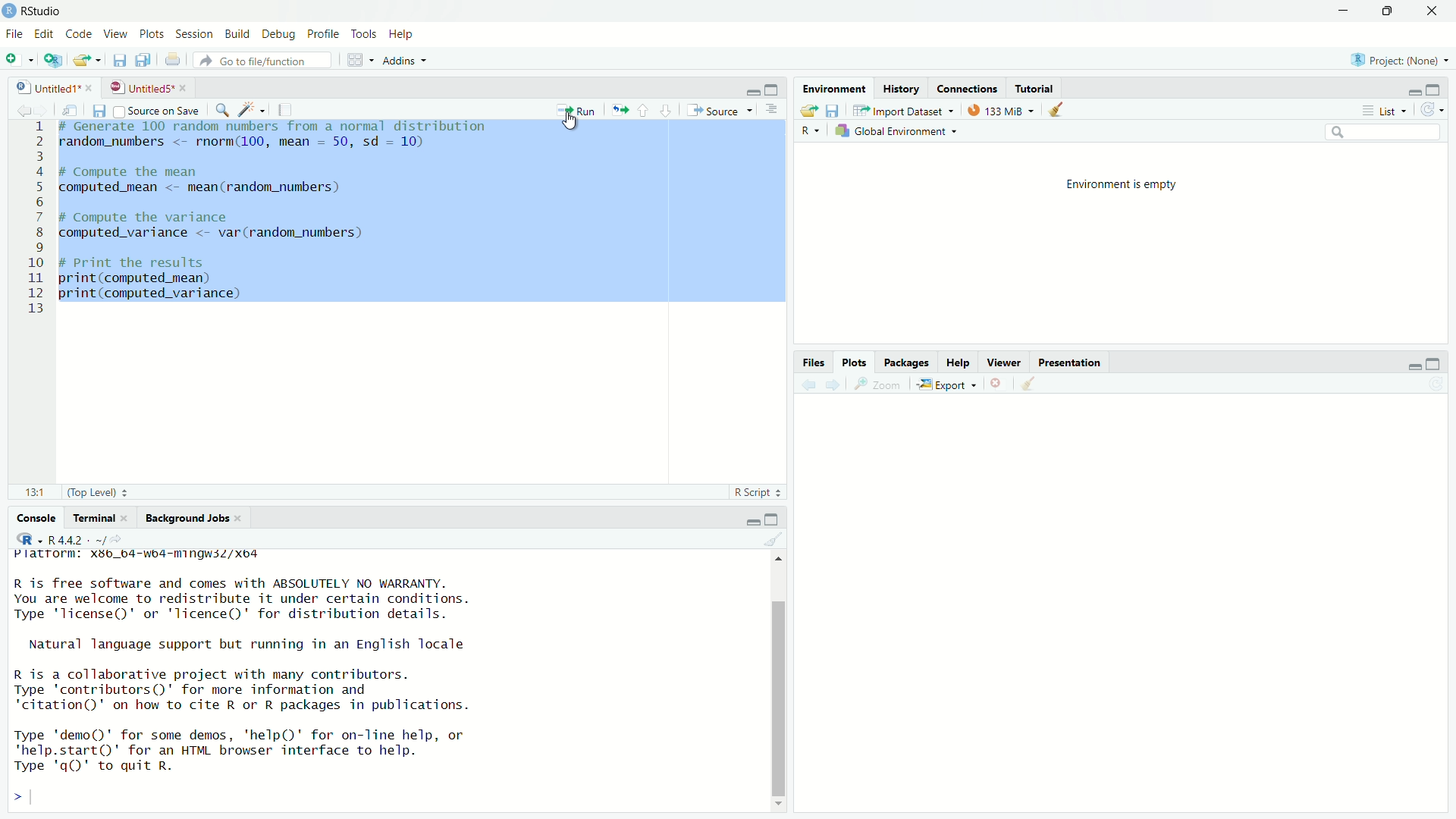  What do you see at coordinates (14, 35) in the screenshot?
I see `file` at bounding box center [14, 35].